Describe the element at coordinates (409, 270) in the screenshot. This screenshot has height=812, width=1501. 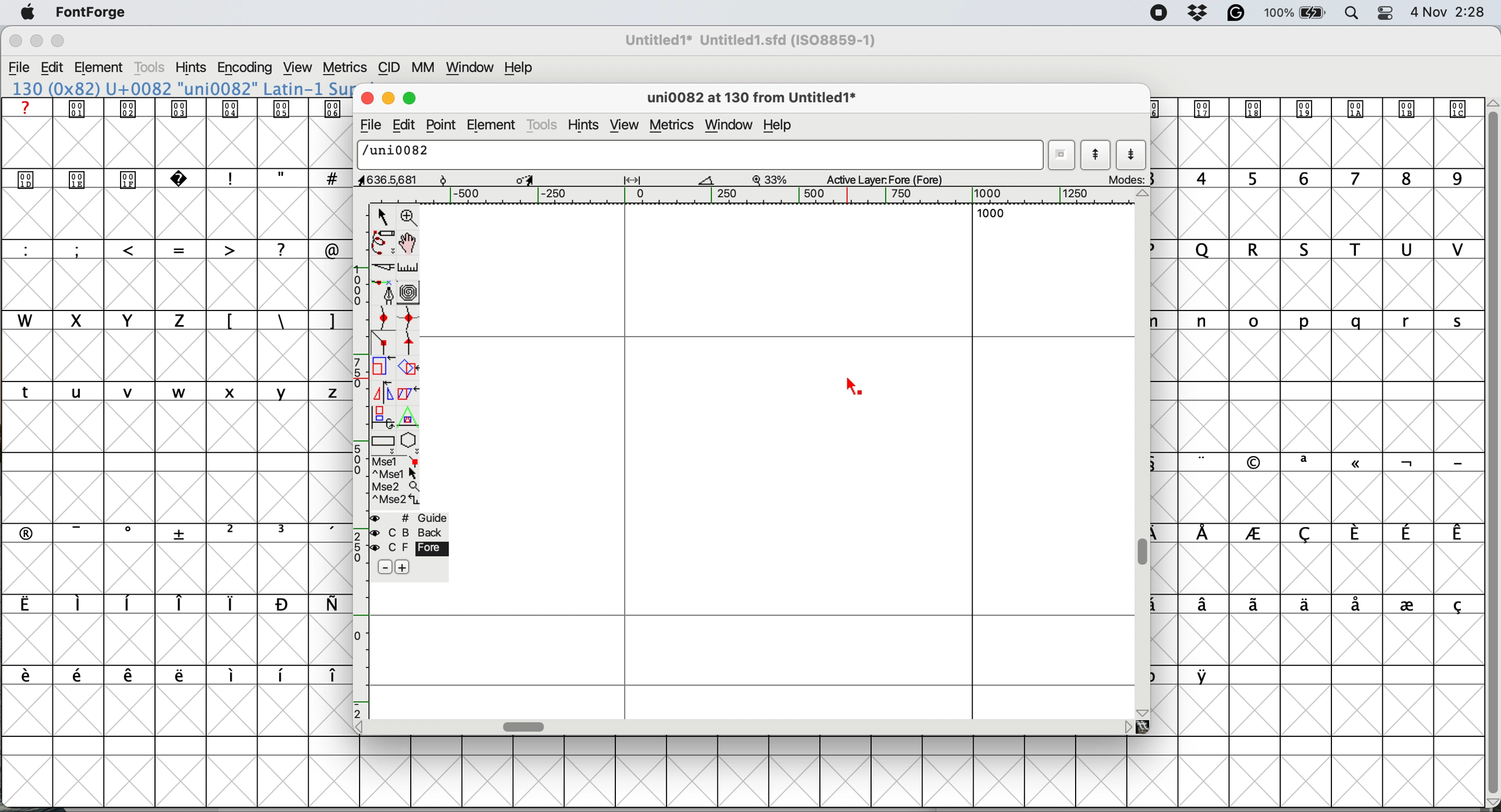
I see `measure distance between two points` at that location.